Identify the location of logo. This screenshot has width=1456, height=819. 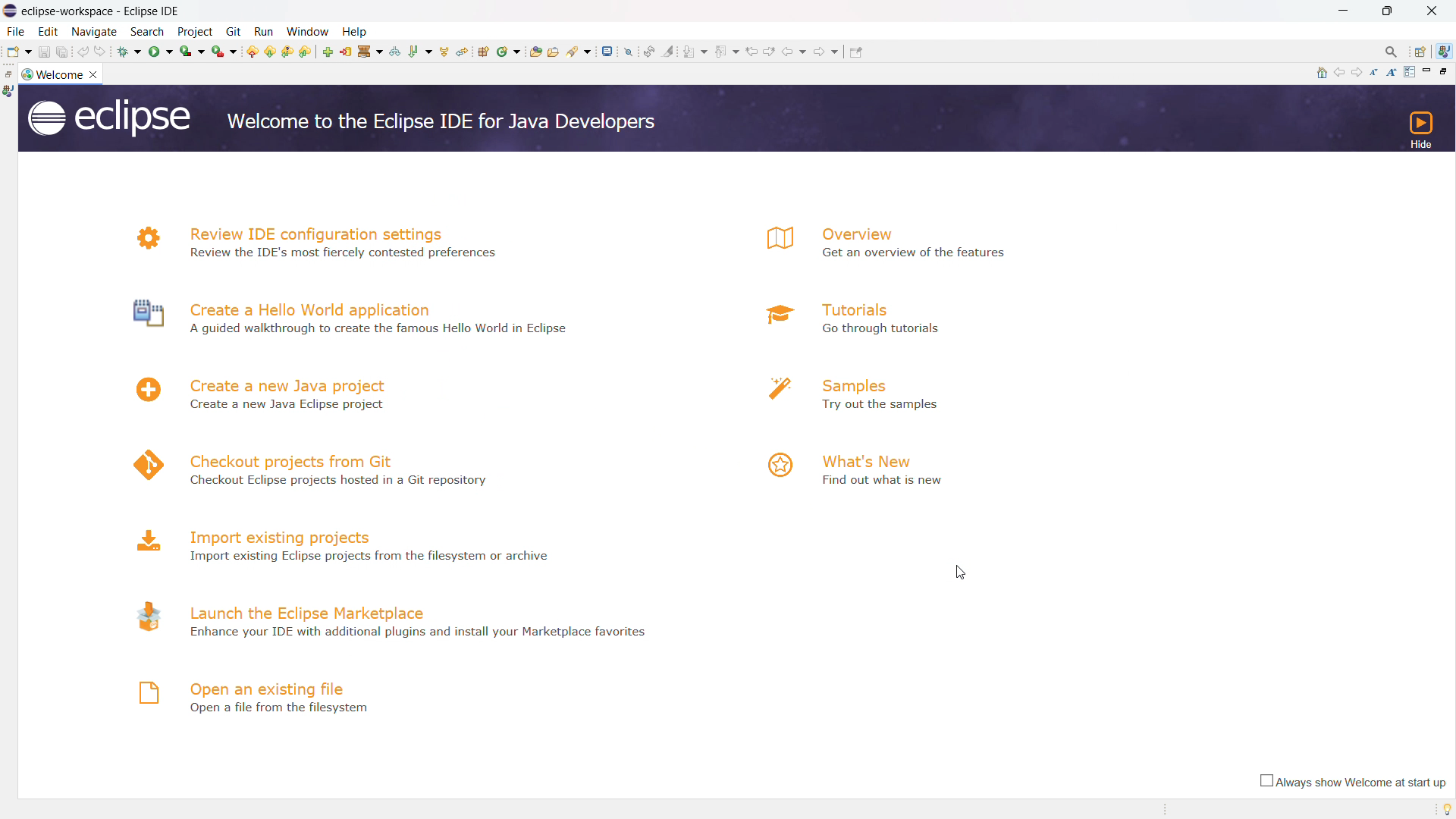
(144, 692).